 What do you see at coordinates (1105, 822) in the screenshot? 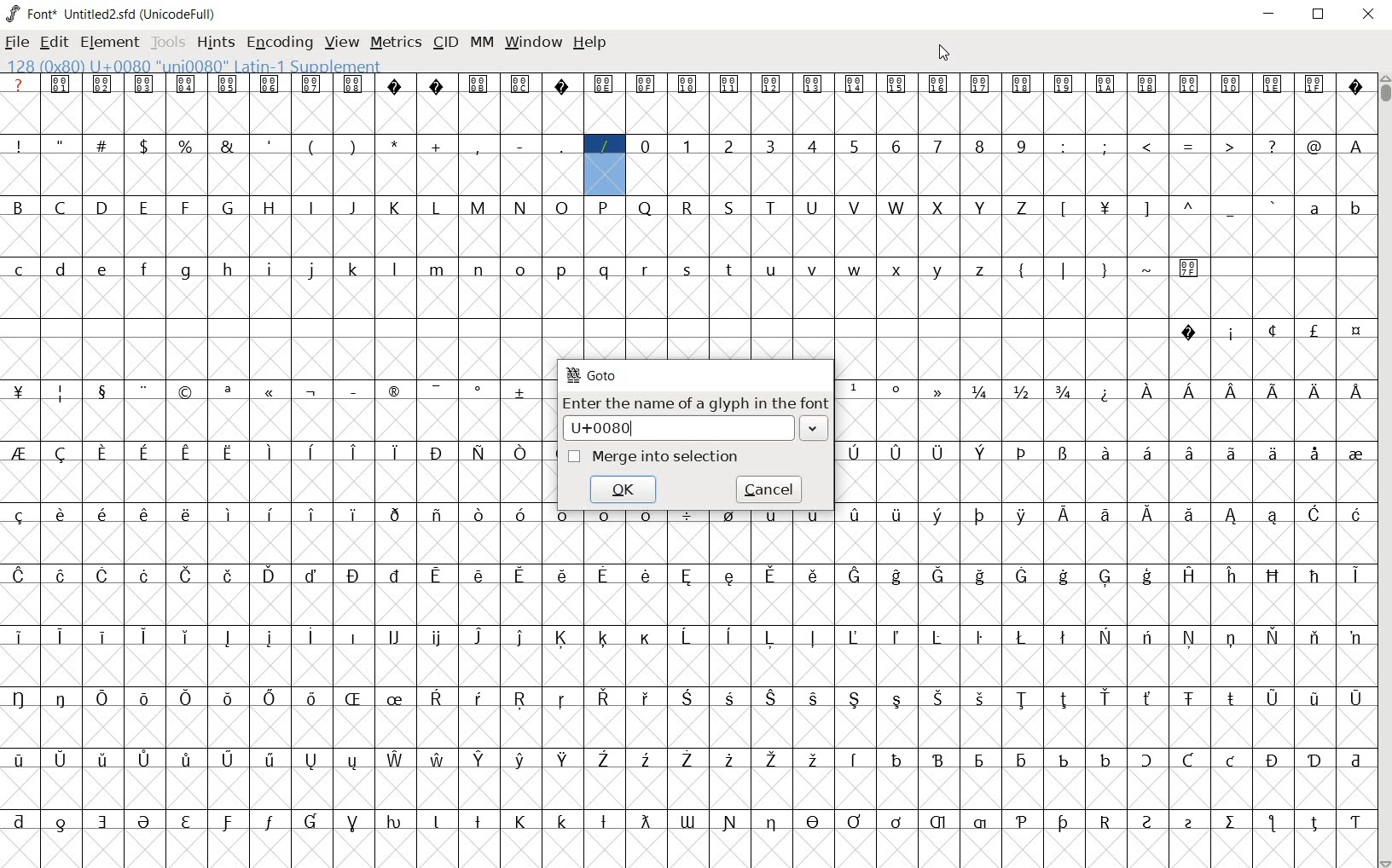
I see `glyph` at bounding box center [1105, 822].